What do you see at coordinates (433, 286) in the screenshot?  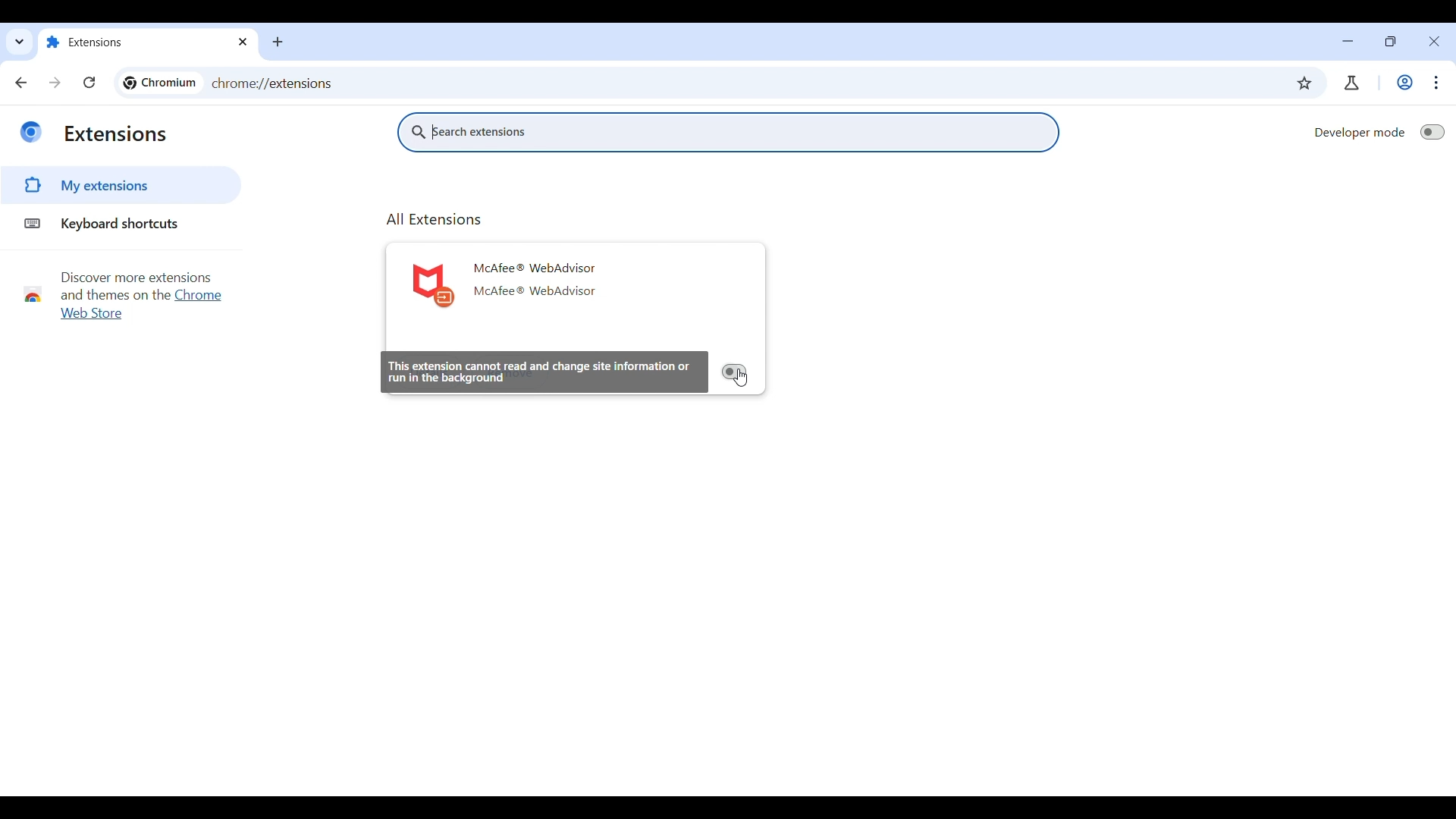 I see `Logo of current extension` at bounding box center [433, 286].